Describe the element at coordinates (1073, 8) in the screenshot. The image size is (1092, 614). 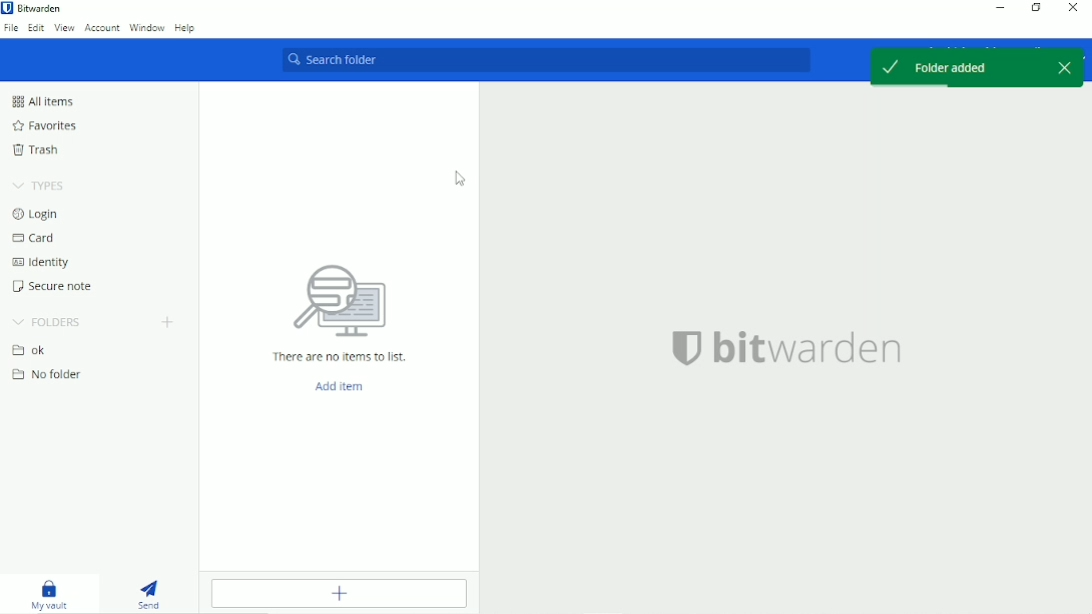
I see `Close` at that location.